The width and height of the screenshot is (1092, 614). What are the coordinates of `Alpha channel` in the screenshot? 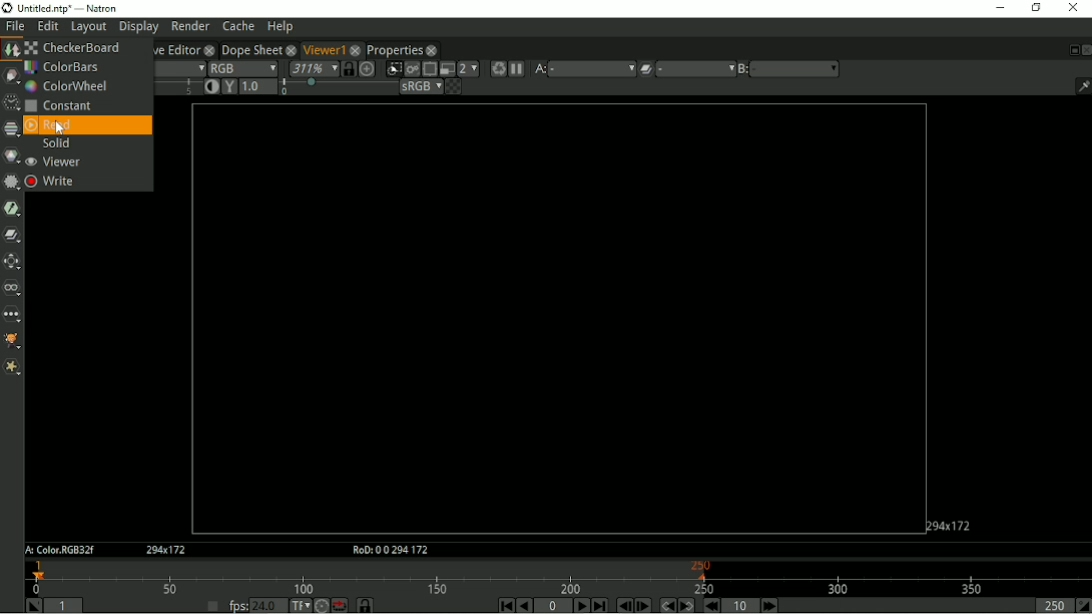 It's located at (180, 68).